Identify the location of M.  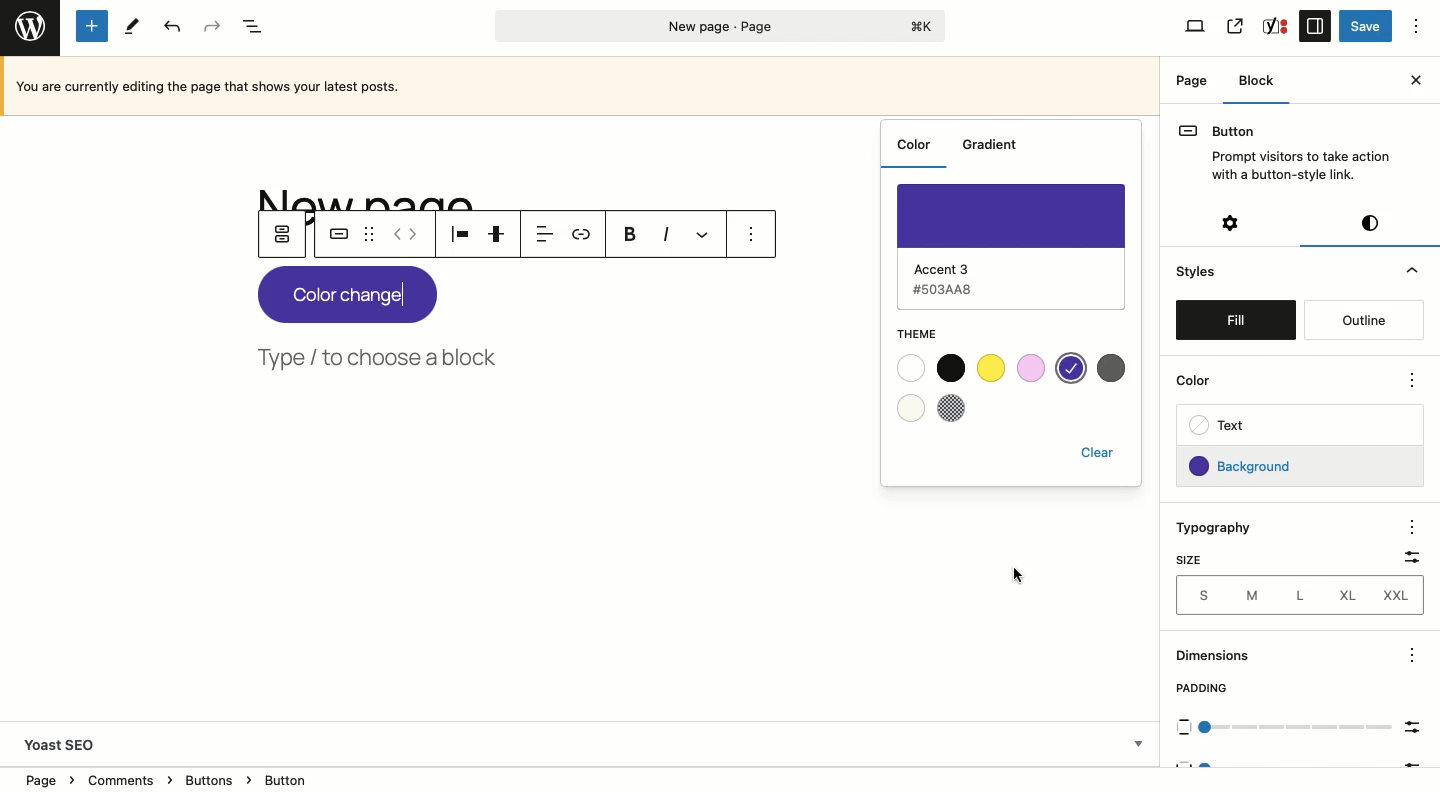
(1247, 594).